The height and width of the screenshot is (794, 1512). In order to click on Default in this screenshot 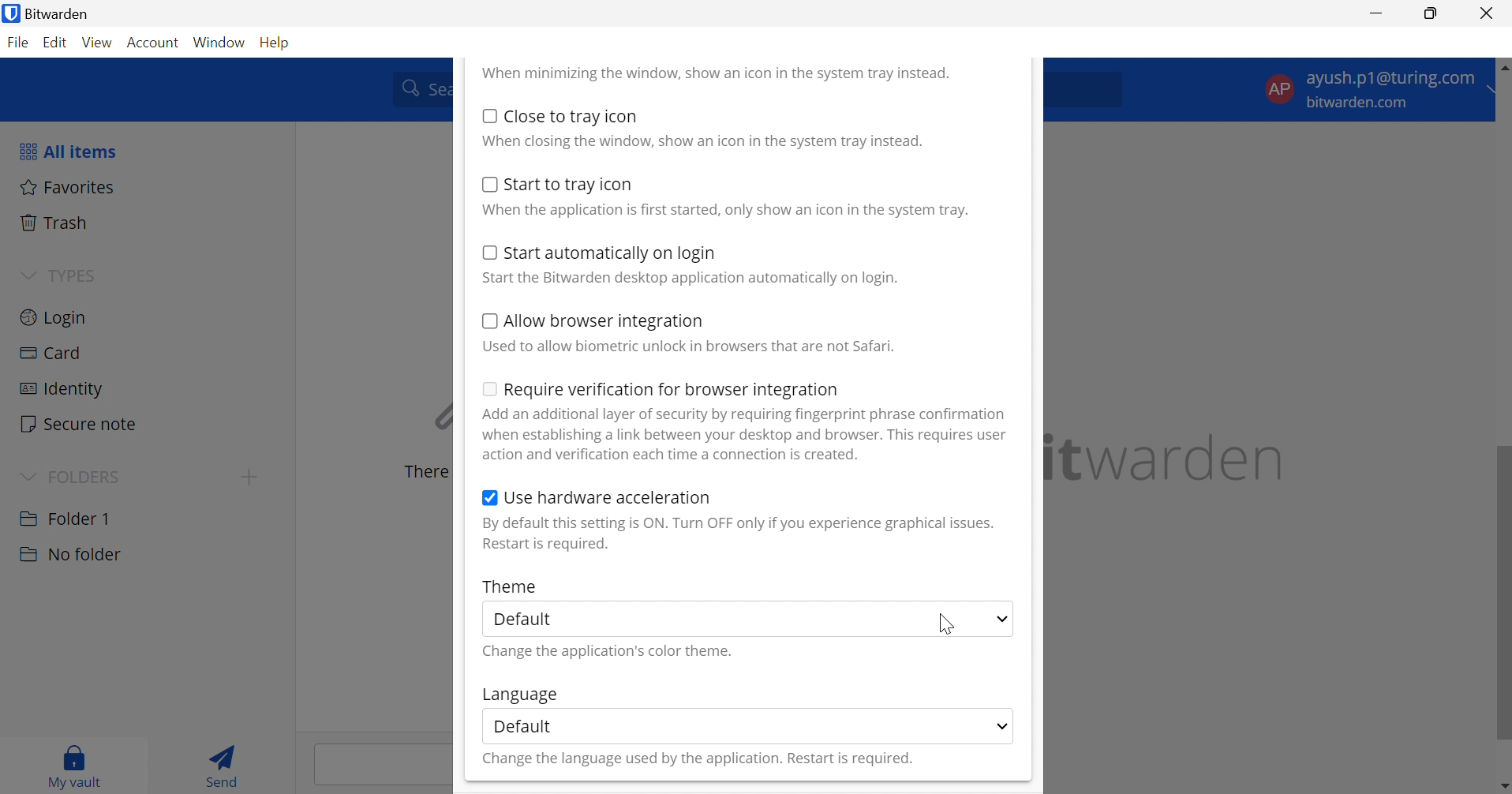, I will do `click(530, 620)`.